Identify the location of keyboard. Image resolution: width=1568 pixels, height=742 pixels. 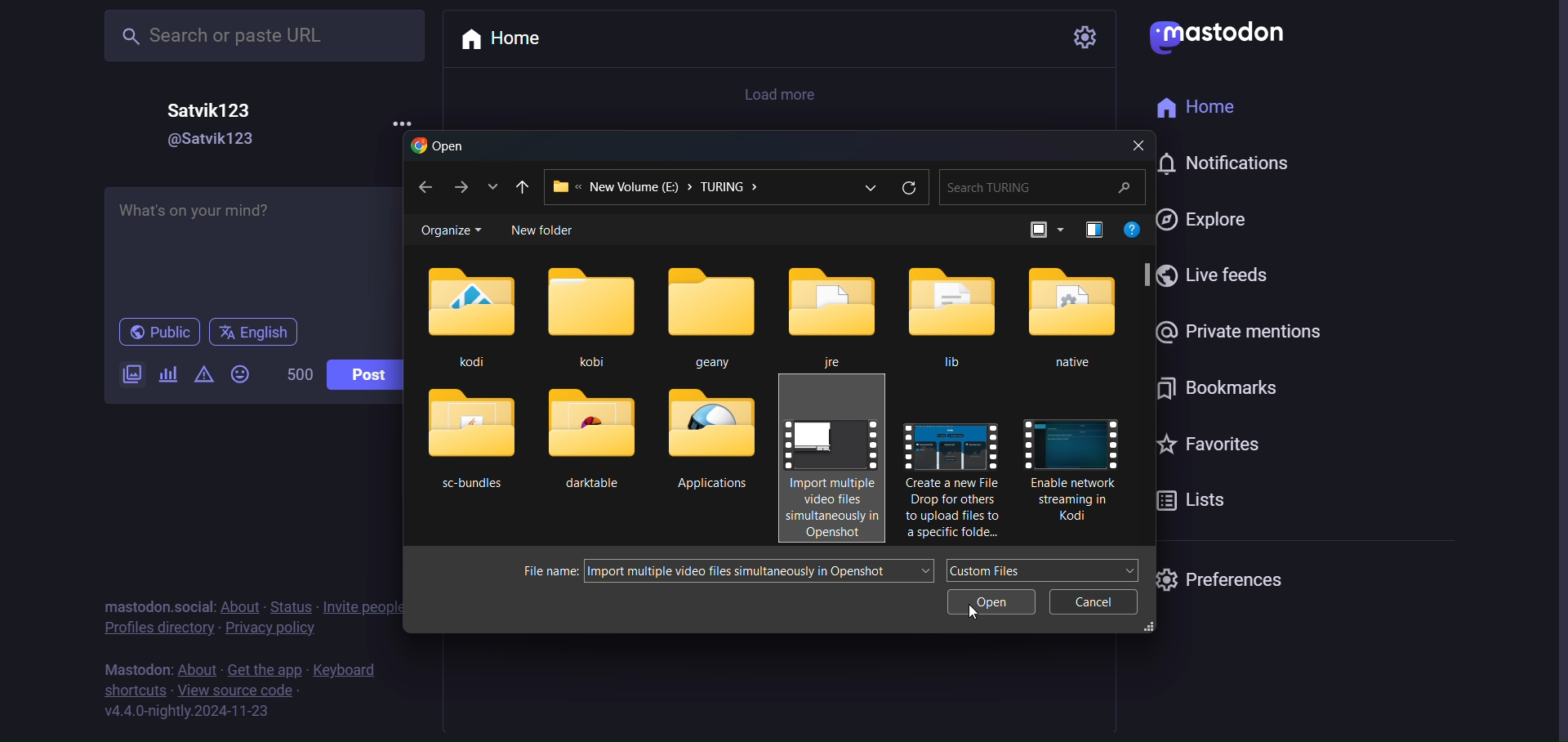
(344, 670).